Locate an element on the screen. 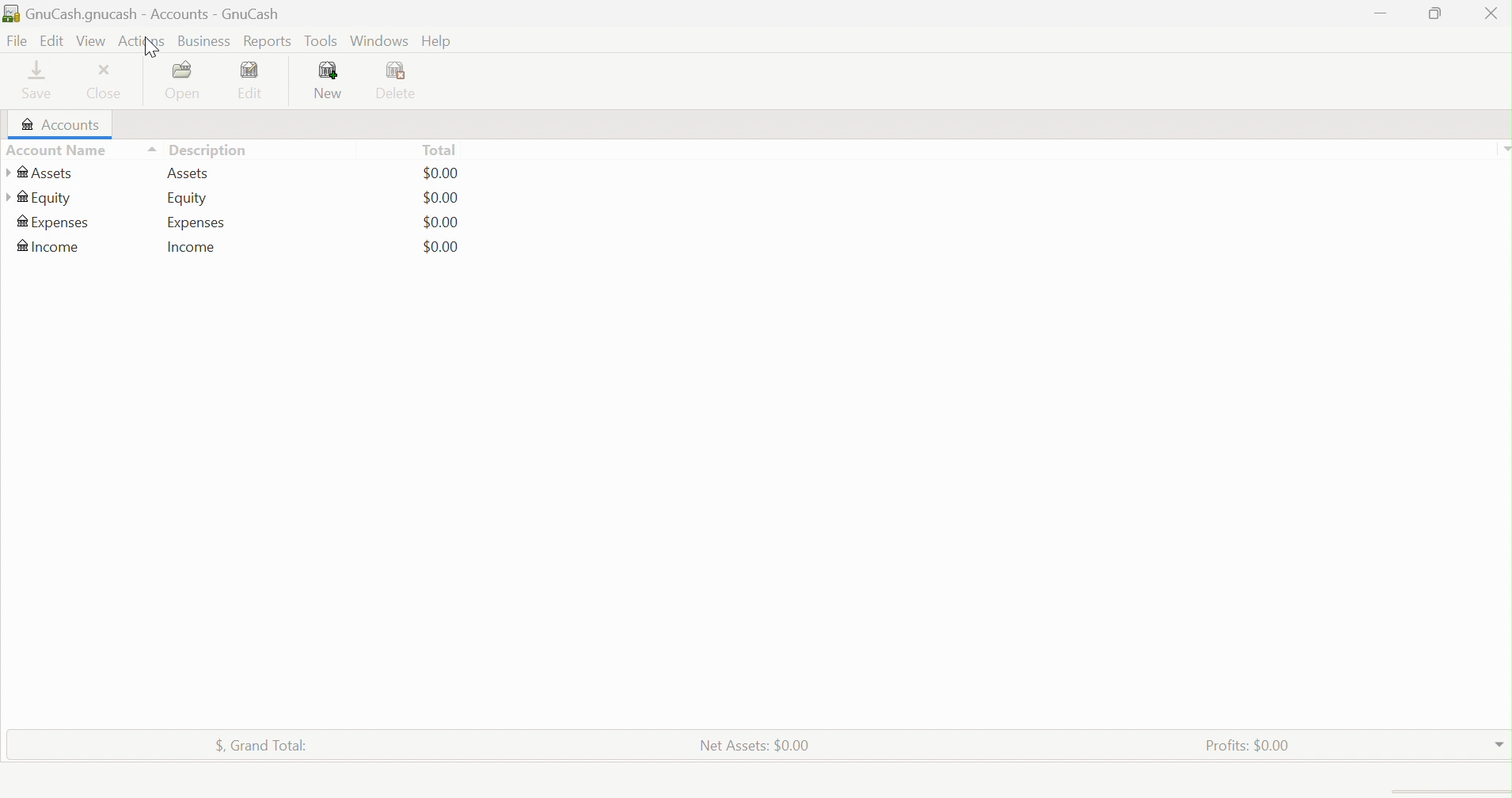 This screenshot has width=1512, height=798. Assets is located at coordinates (191, 173).